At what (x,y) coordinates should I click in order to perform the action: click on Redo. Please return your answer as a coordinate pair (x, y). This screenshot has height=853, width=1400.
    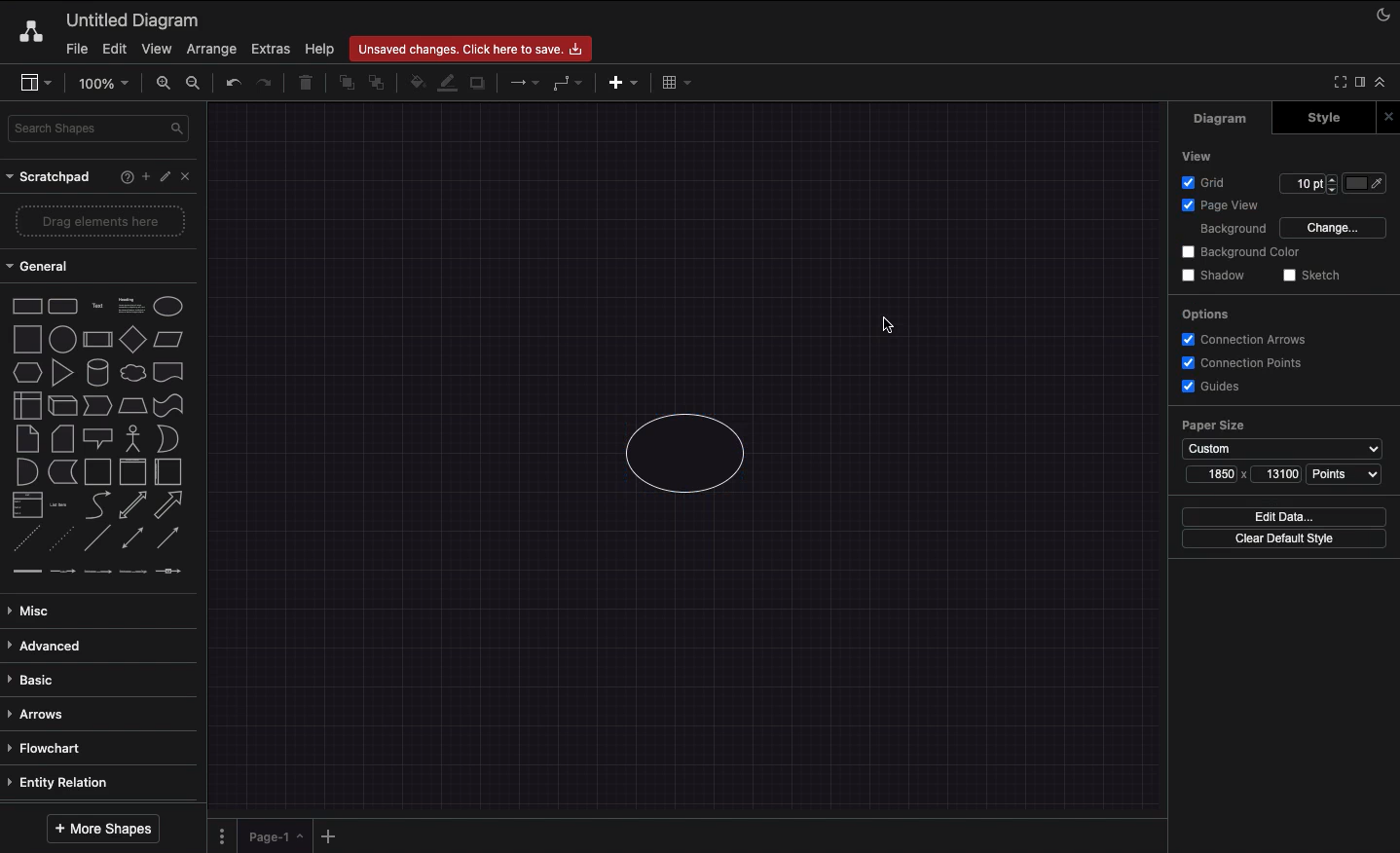
    Looking at the image, I should click on (264, 84).